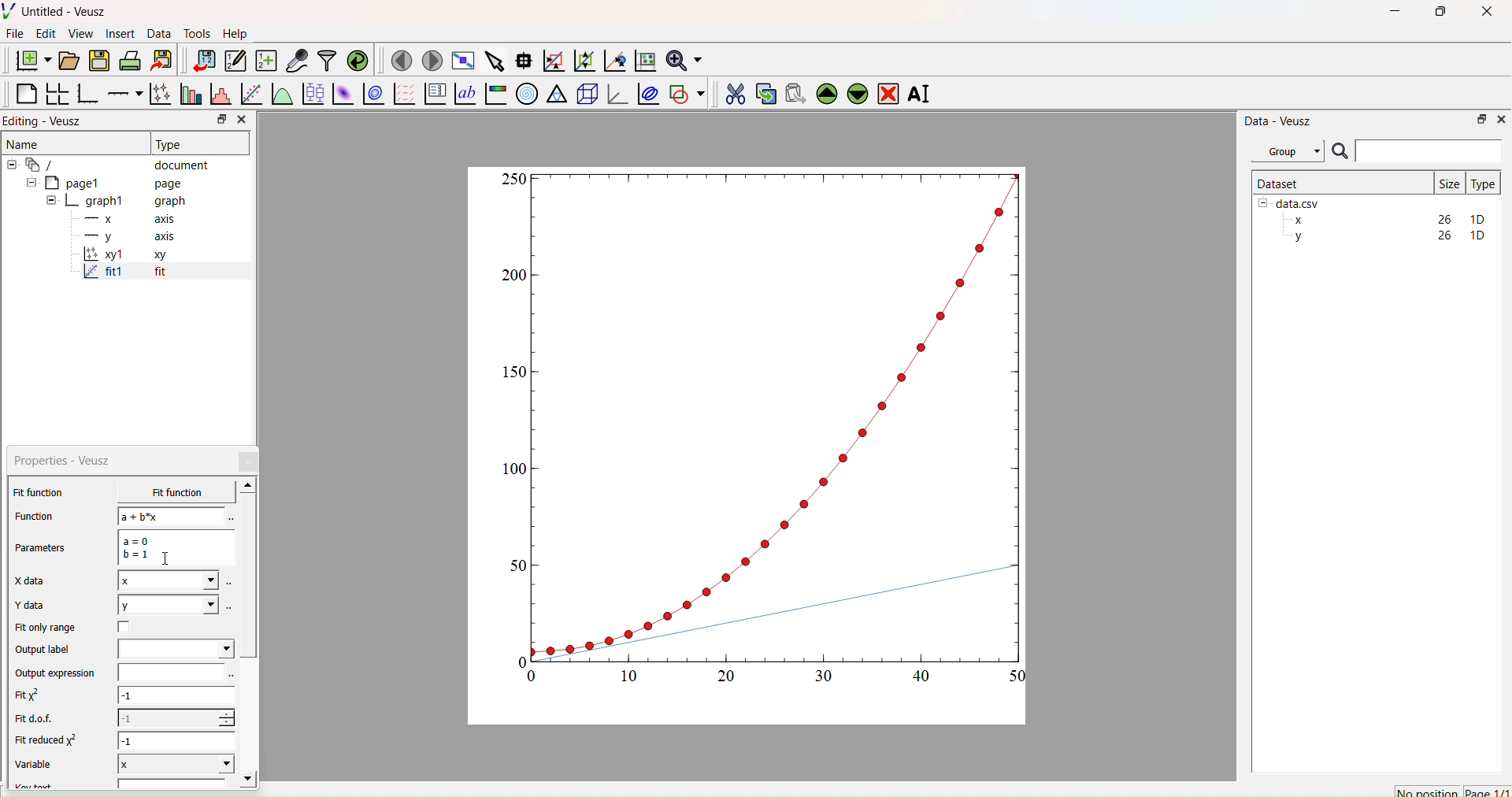 The image size is (1512, 797). What do you see at coordinates (46, 550) in the screenshot?
I see `Parameters` at bounding box center [46, 550].